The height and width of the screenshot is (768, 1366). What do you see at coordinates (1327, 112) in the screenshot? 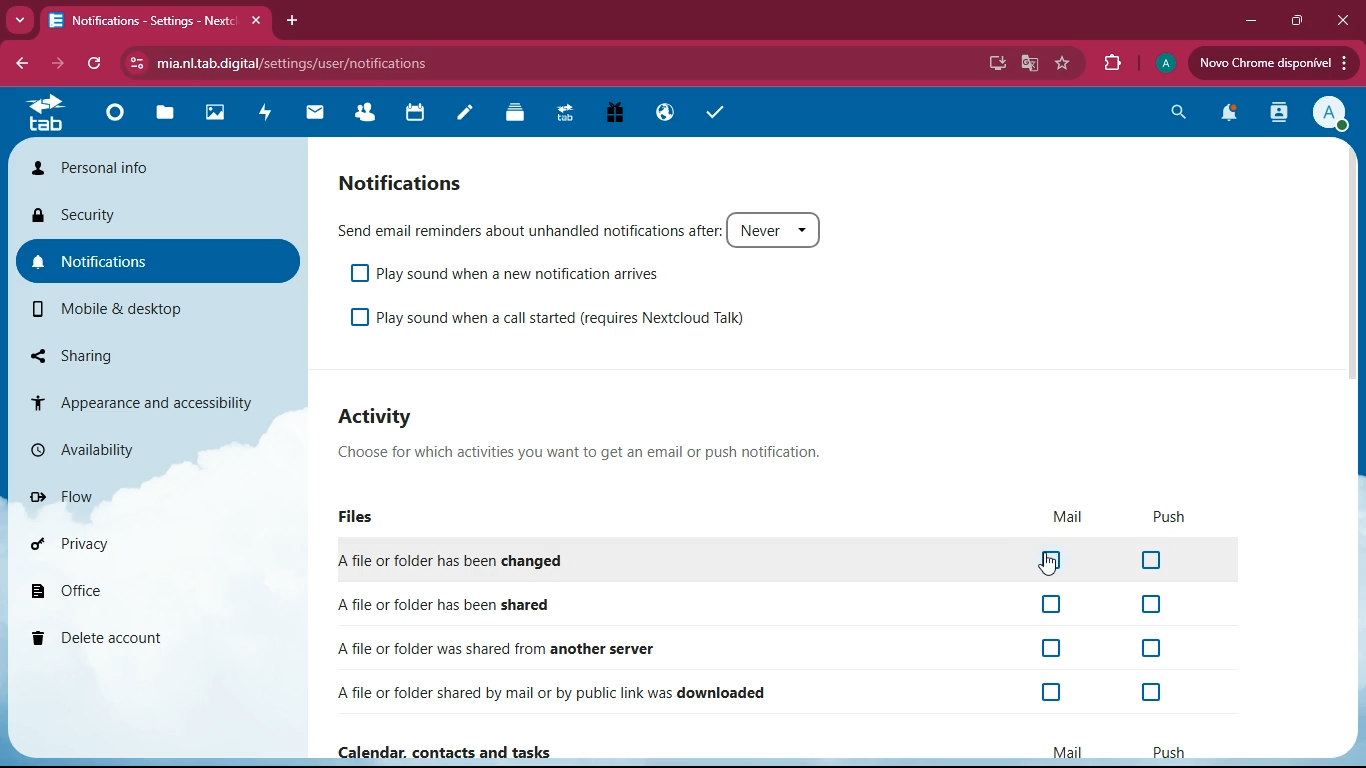
I see `profile` at bounding box center [1327, 112].